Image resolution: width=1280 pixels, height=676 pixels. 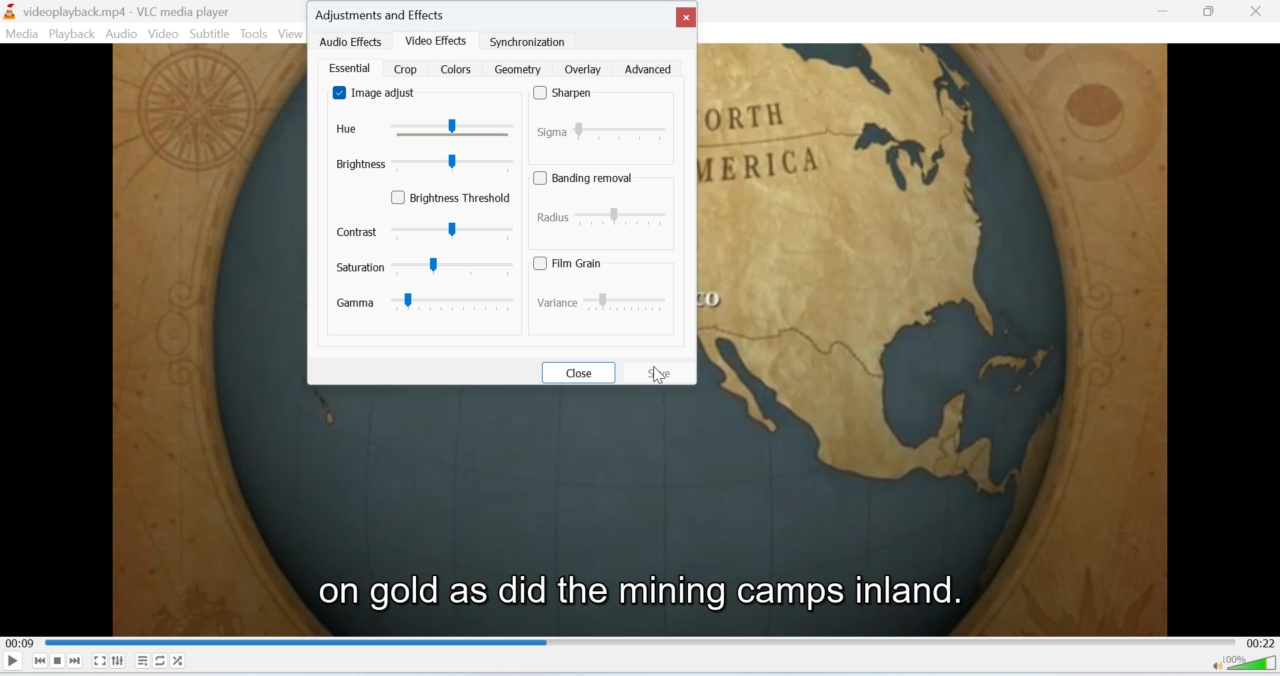 I want to click on close, so click(x=686, y=17).